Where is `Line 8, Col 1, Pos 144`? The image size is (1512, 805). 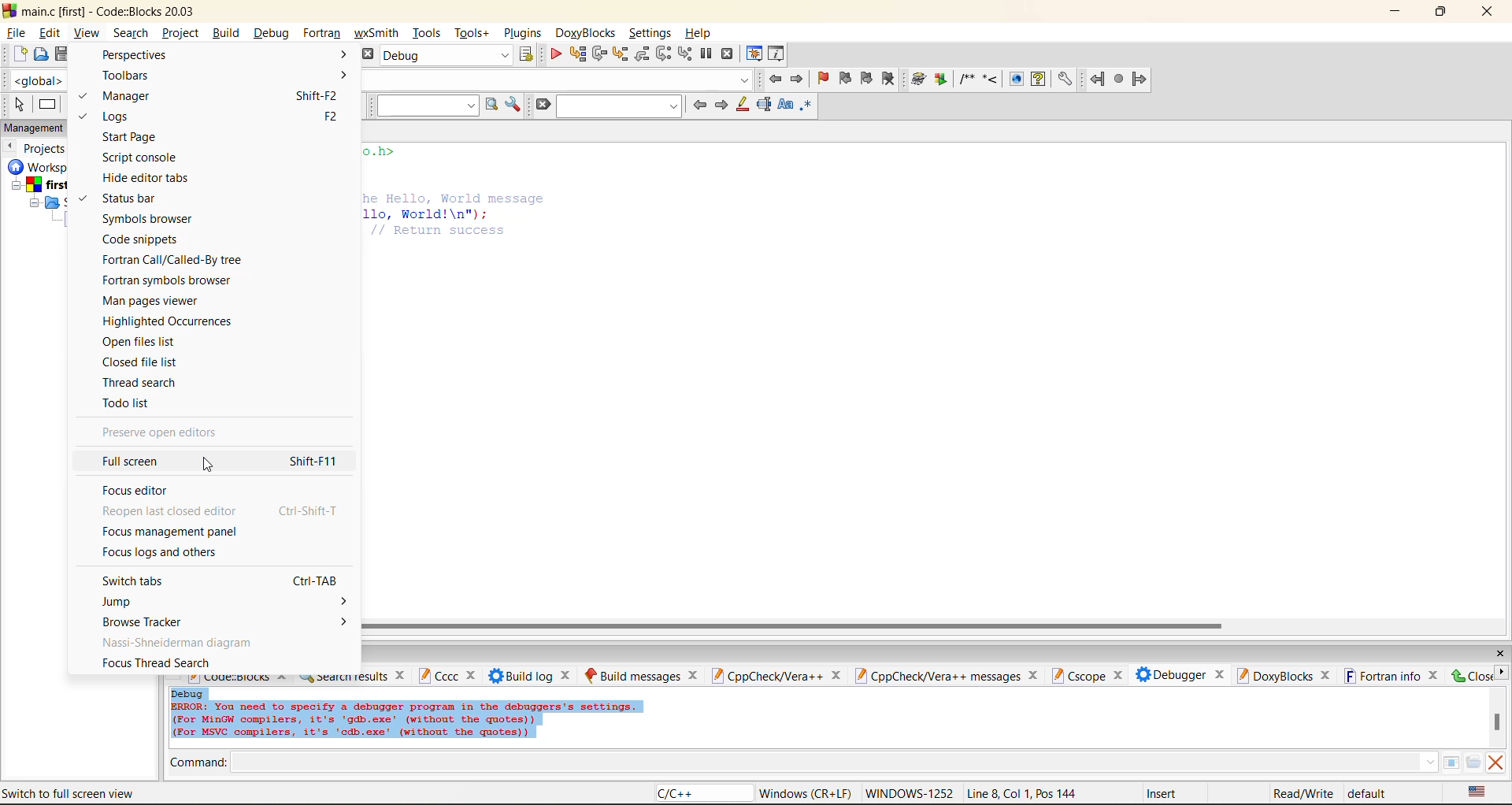 Line 8, Col 1, Pos 144 is located at coordinates (1021, 793).